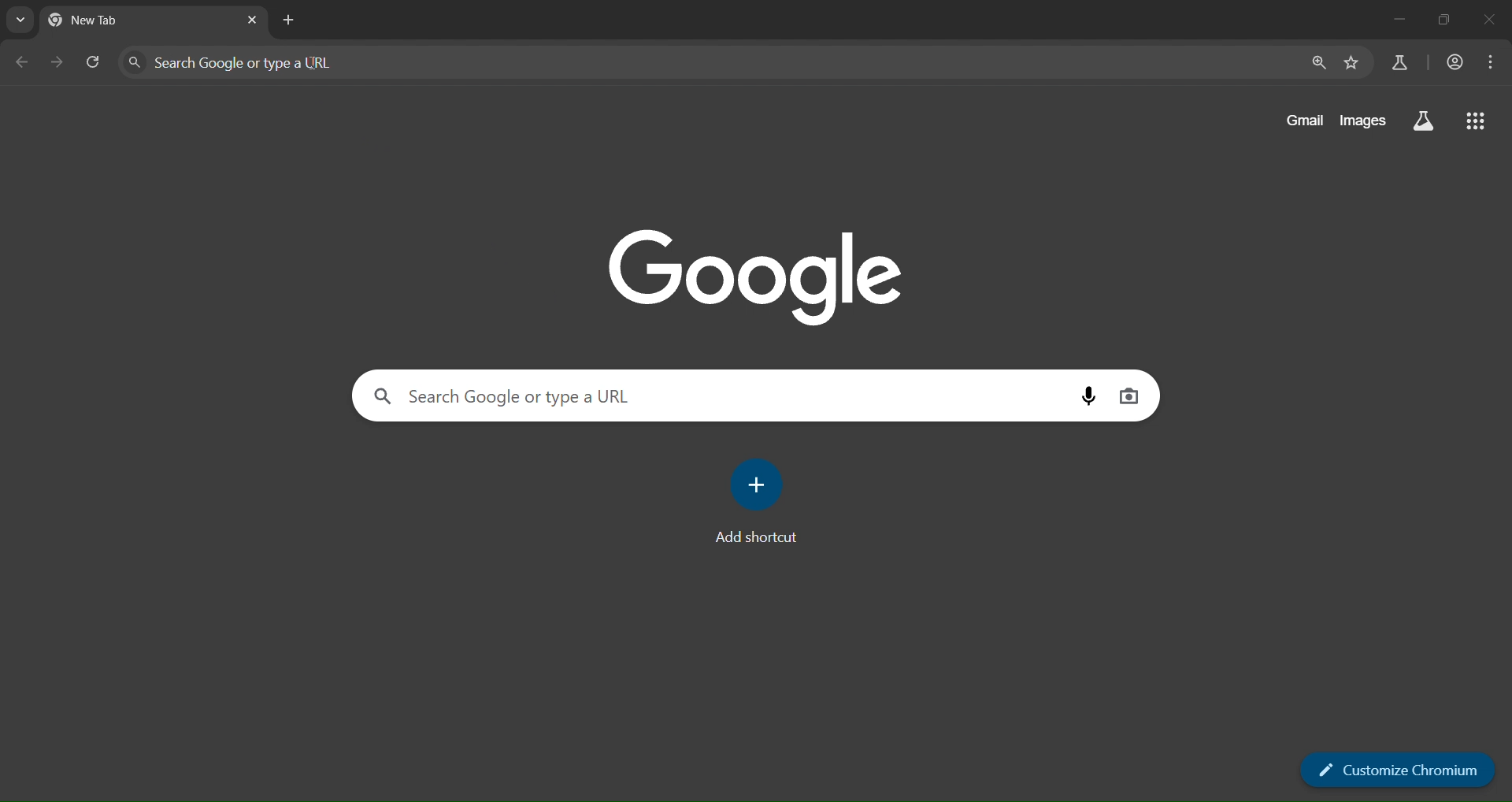 The height and width of the screenshot is (802, 1512). What do you see at coordinates (95, 64) in the screenshot?
I see `reload page` at bounding box center [95, 64].